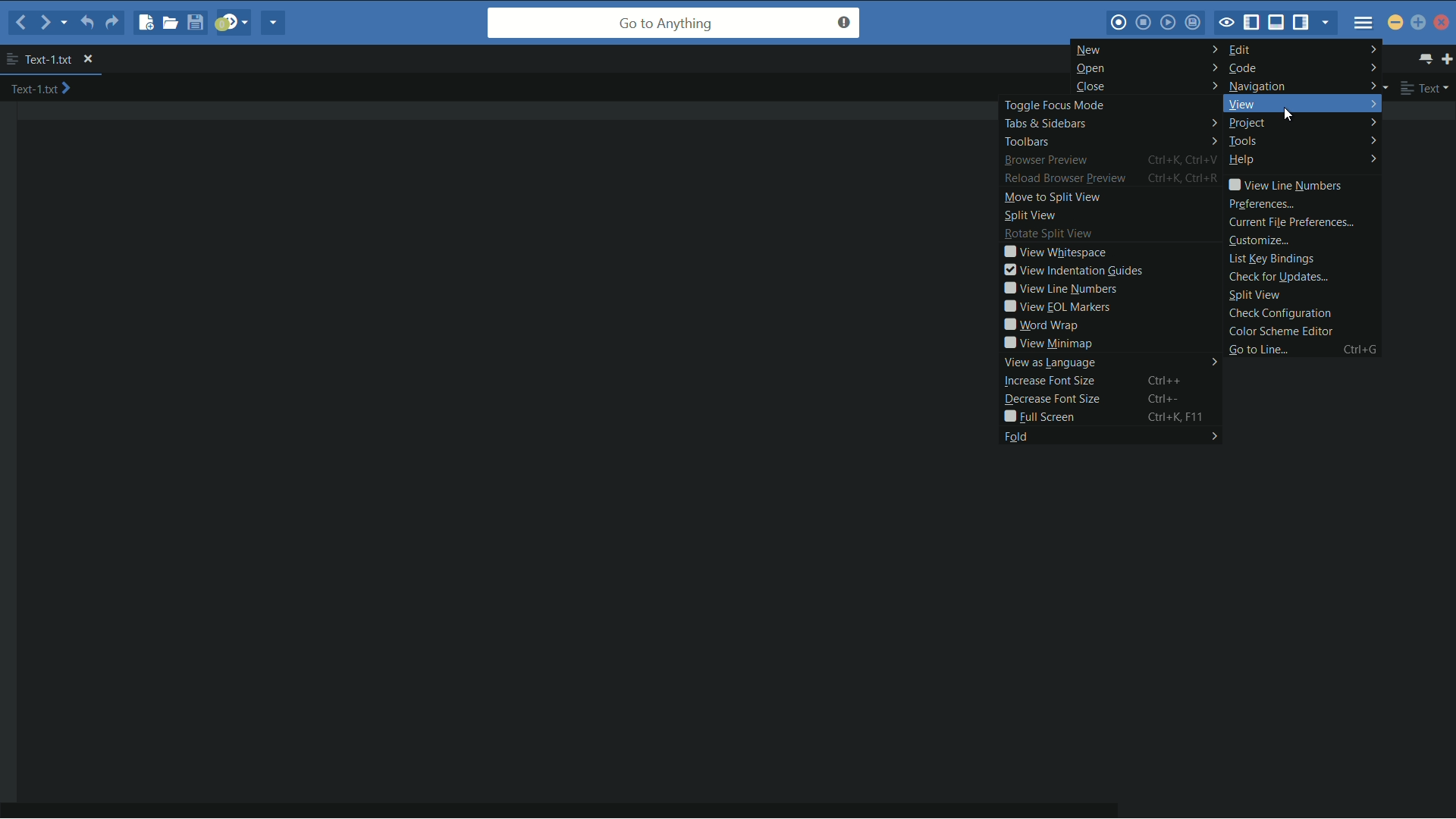 The image size is (1456, 819). Describe the element at coordinates (1045, 161) in the screenshot. I see `browse preview` at that location.